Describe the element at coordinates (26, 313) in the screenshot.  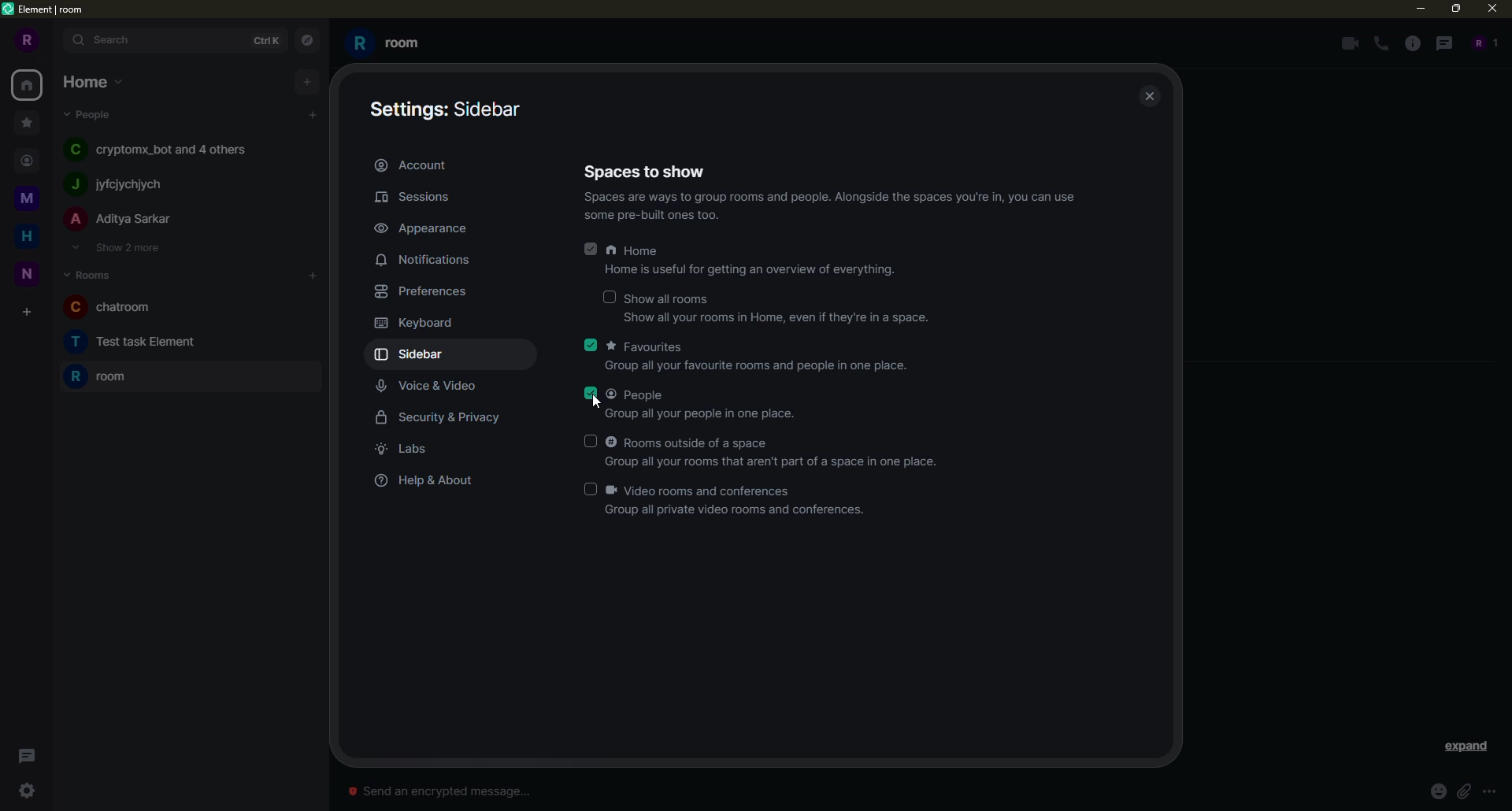
I see `add` at that location.